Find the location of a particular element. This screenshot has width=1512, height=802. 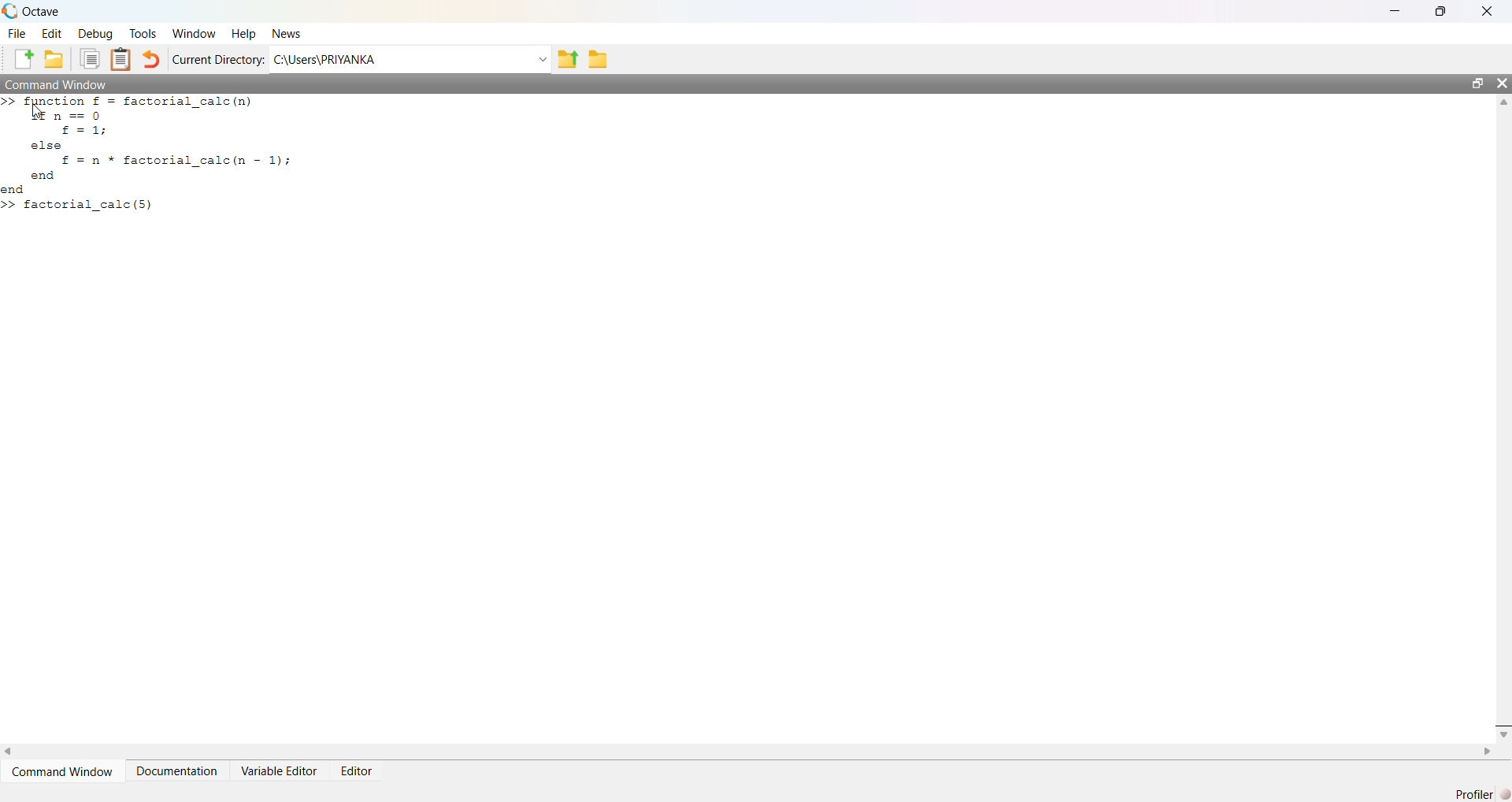

debug is located at coordinates (94, 34).